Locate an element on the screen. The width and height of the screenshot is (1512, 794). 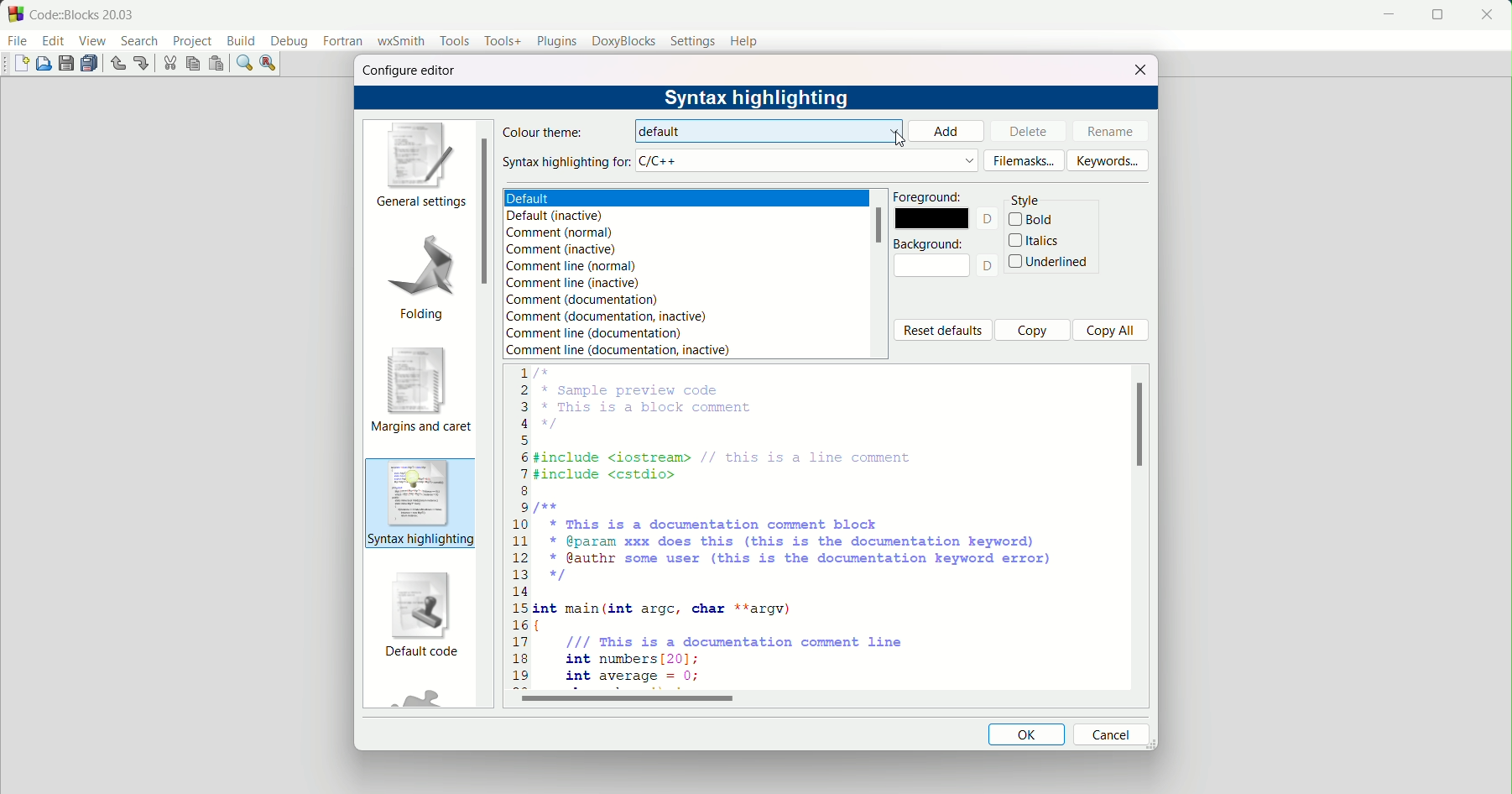
minimize is located at coordinates (1385, 15).